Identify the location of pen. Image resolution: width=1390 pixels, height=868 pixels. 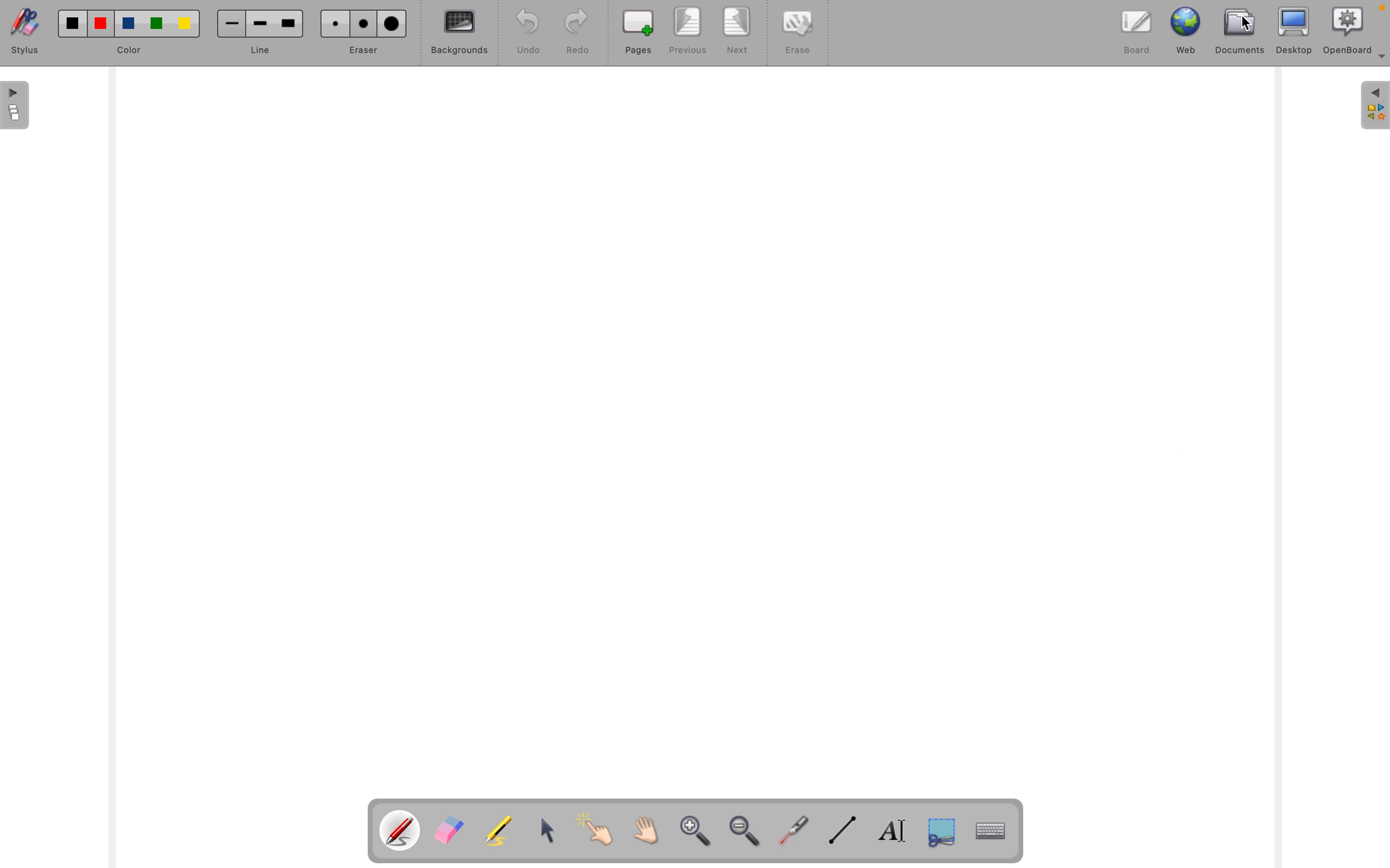
(395, 830).